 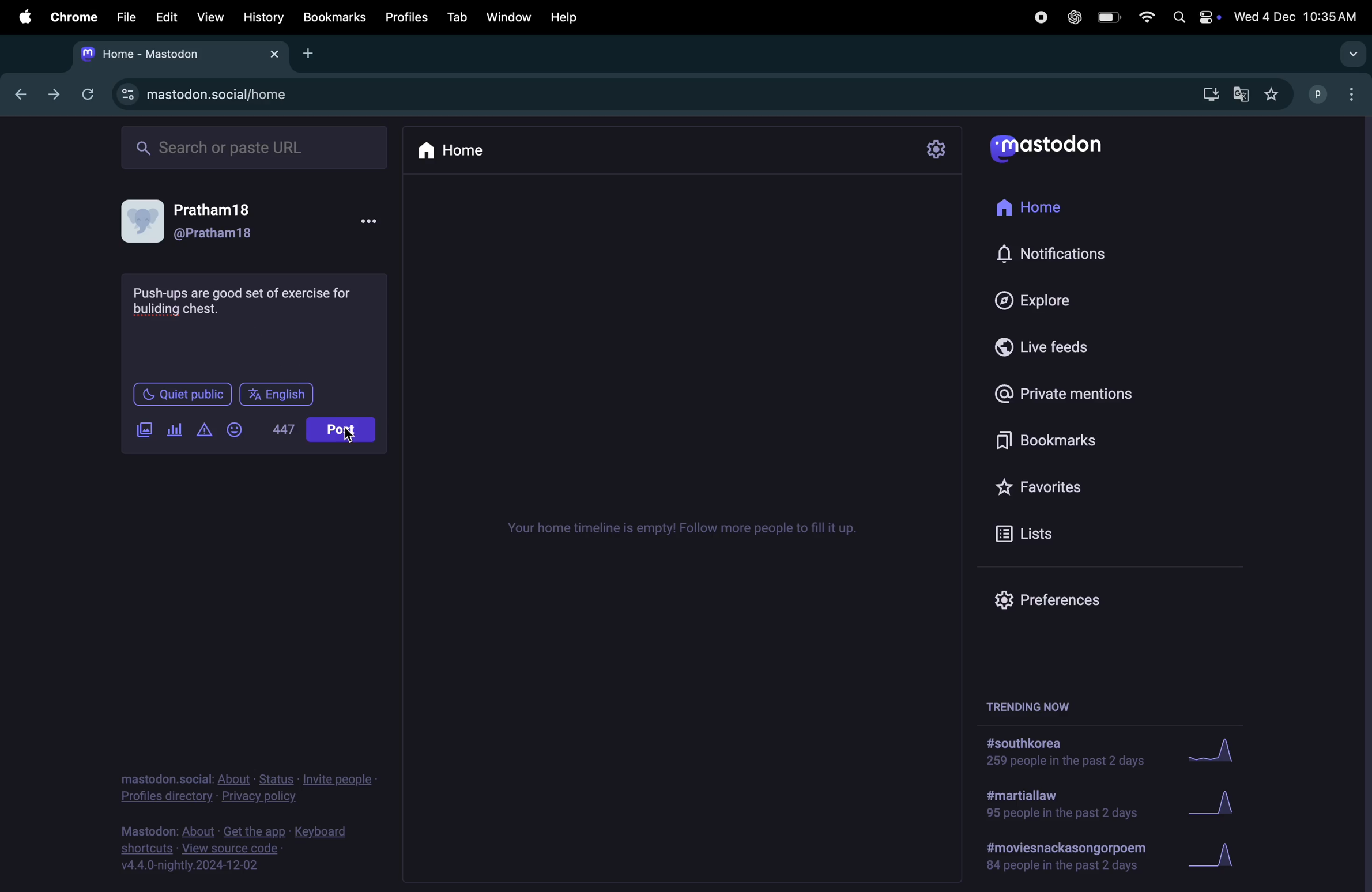 What do you see at coordinates (375, 222) in the screenshot?
I see `options` at bounding box center [375, 222].